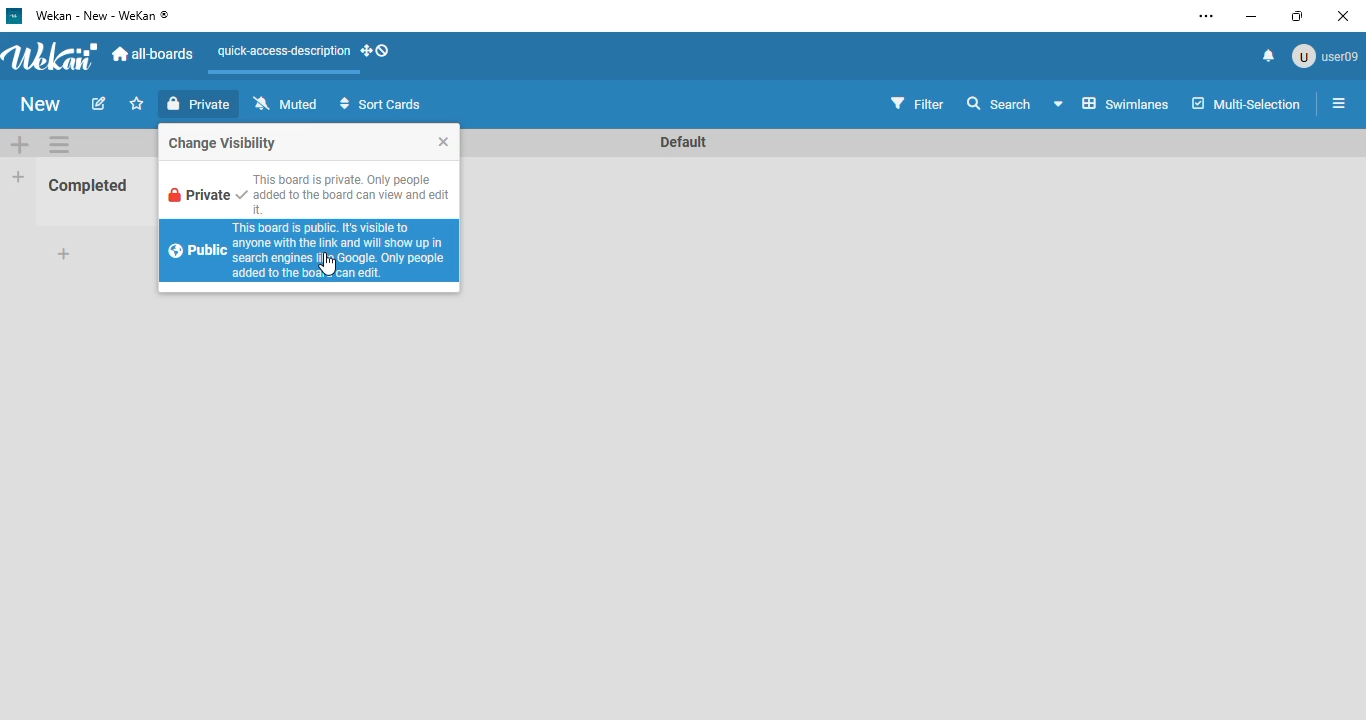  What do you see at coordinates (1298, 16) in the screenshot?
I see `maximize` at bounding box center [1298, 16].